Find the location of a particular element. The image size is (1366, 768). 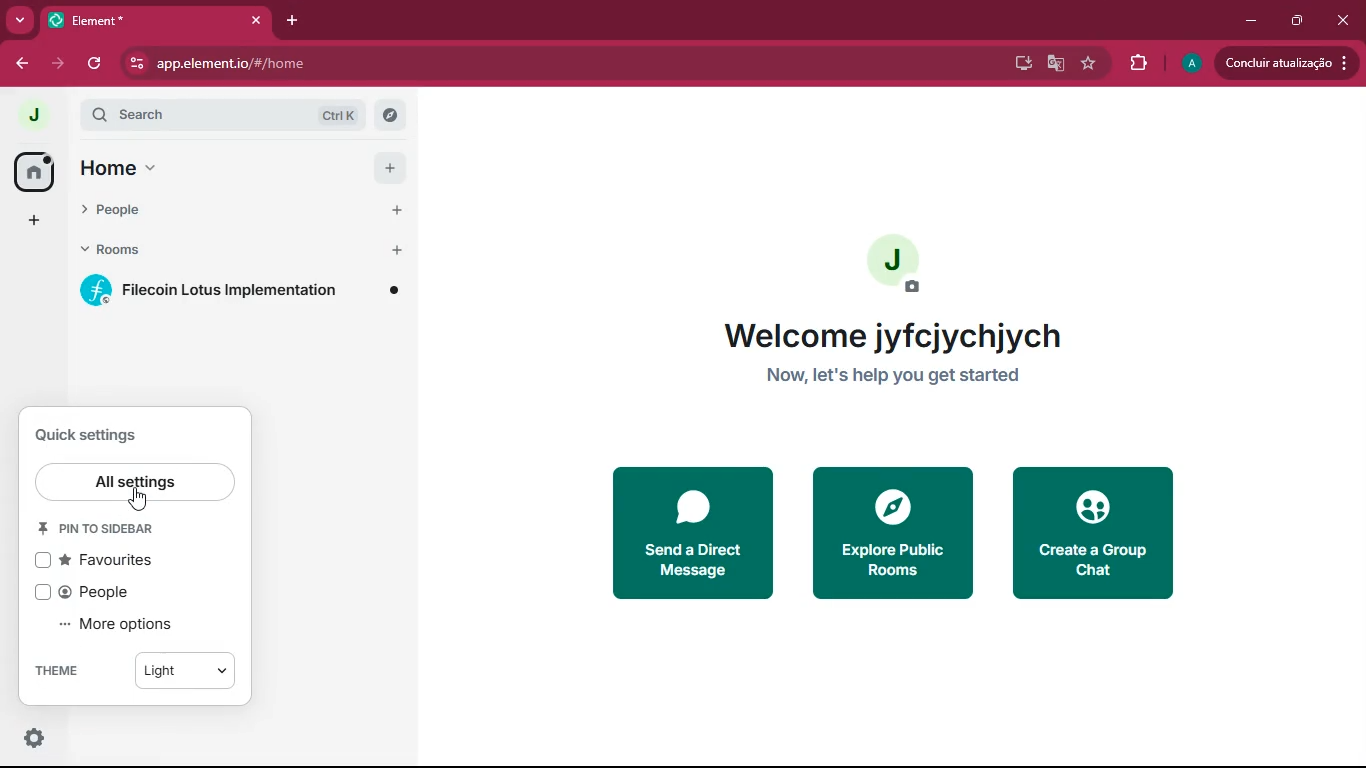

people is located at coordinates (133, 211).